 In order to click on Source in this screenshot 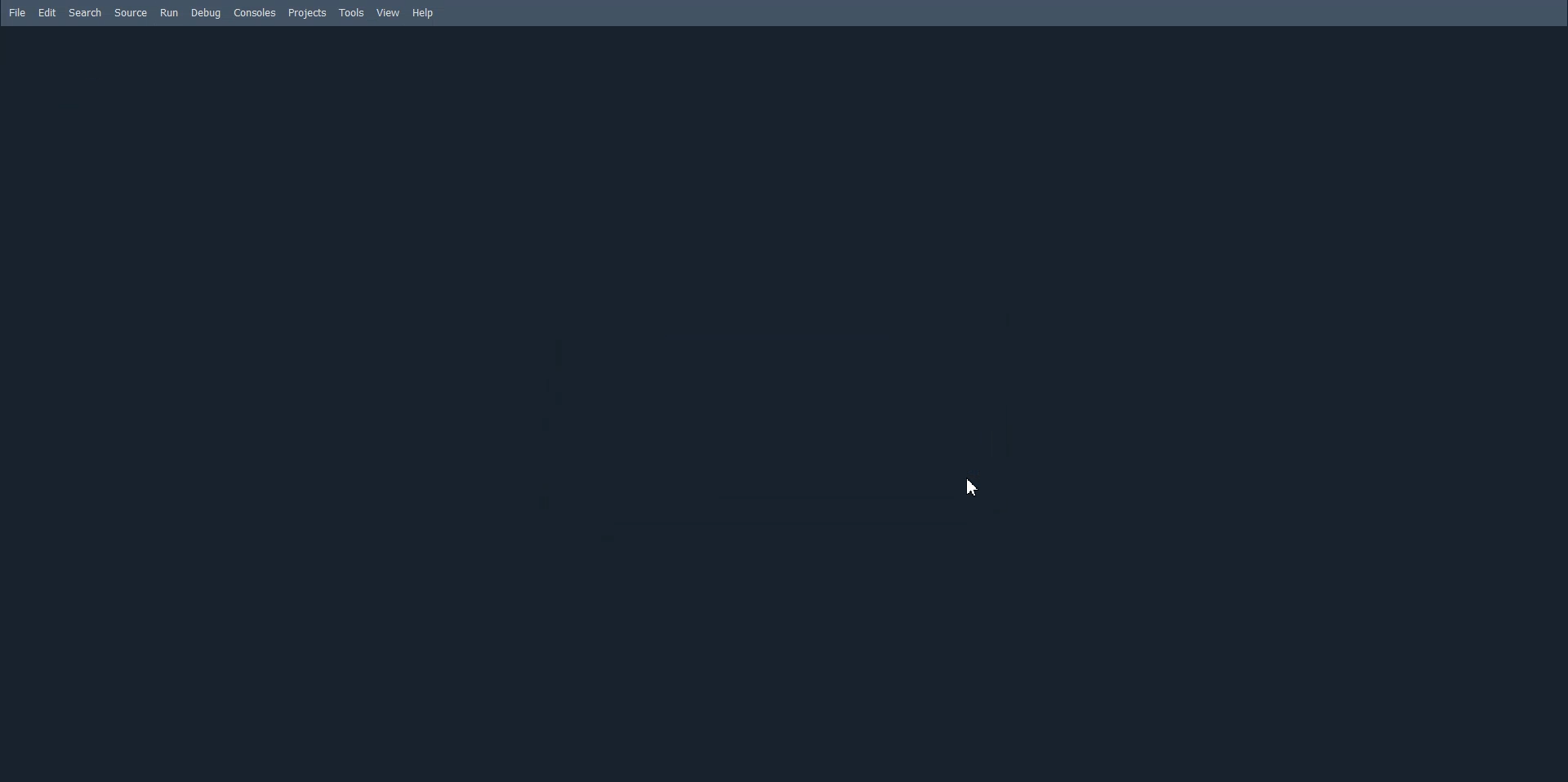, I will do `click(129, 12)`.